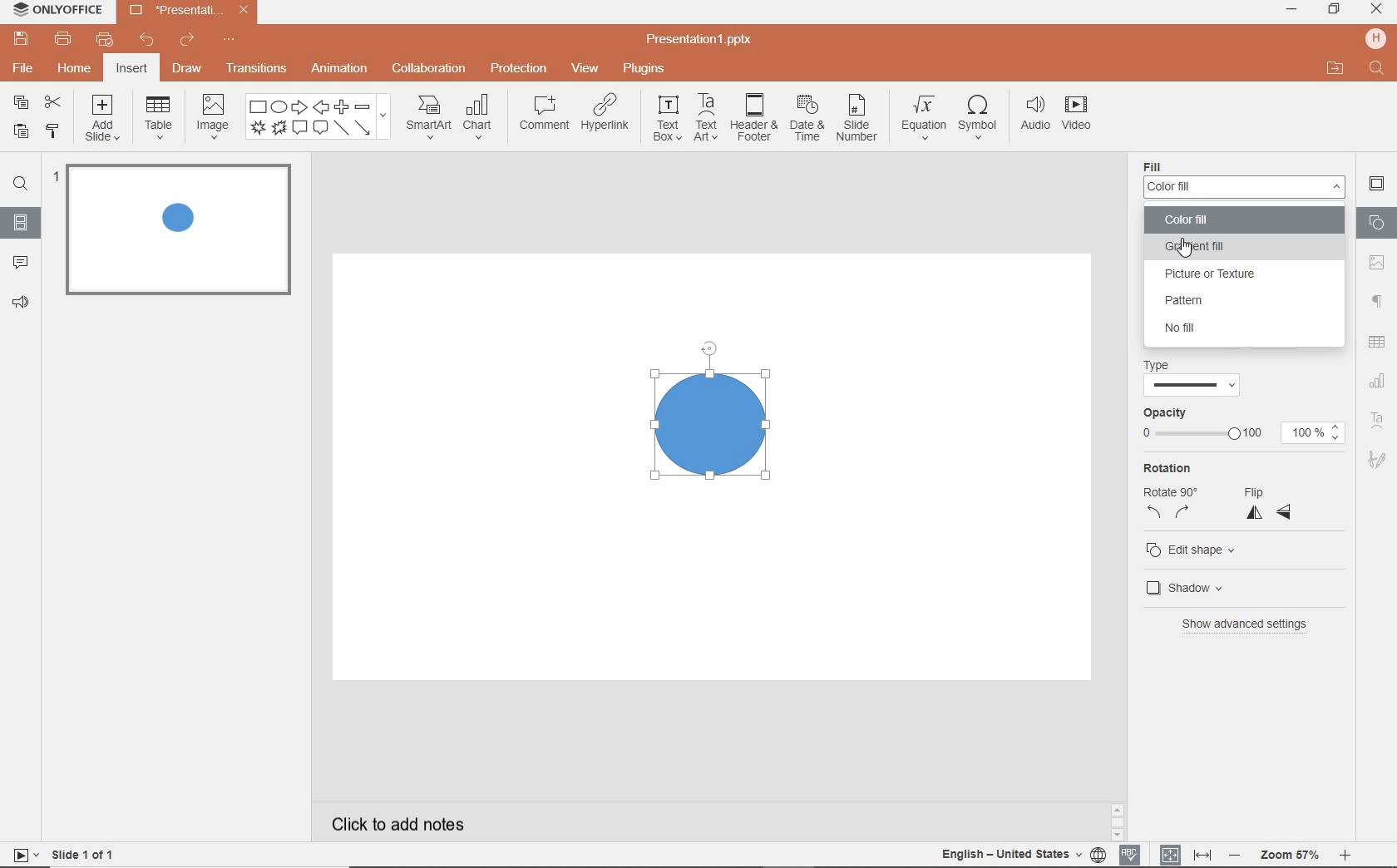  Describe the element at coordinates (55, 11) in the screenshot. I see `system name` at that location.